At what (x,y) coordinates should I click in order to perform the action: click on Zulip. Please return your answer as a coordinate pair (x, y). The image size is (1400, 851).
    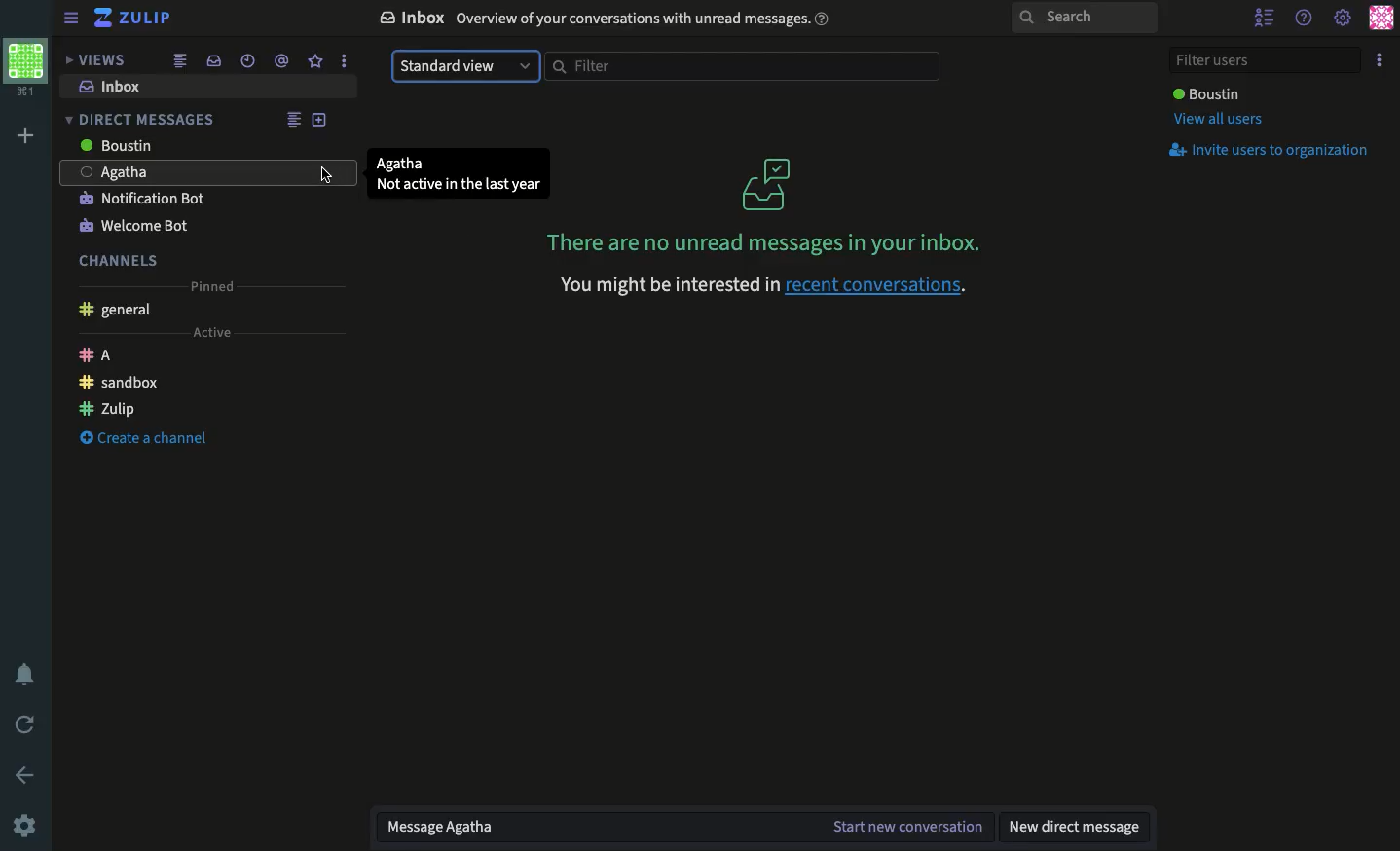
    Looking at the image, I should click on (136, 19).